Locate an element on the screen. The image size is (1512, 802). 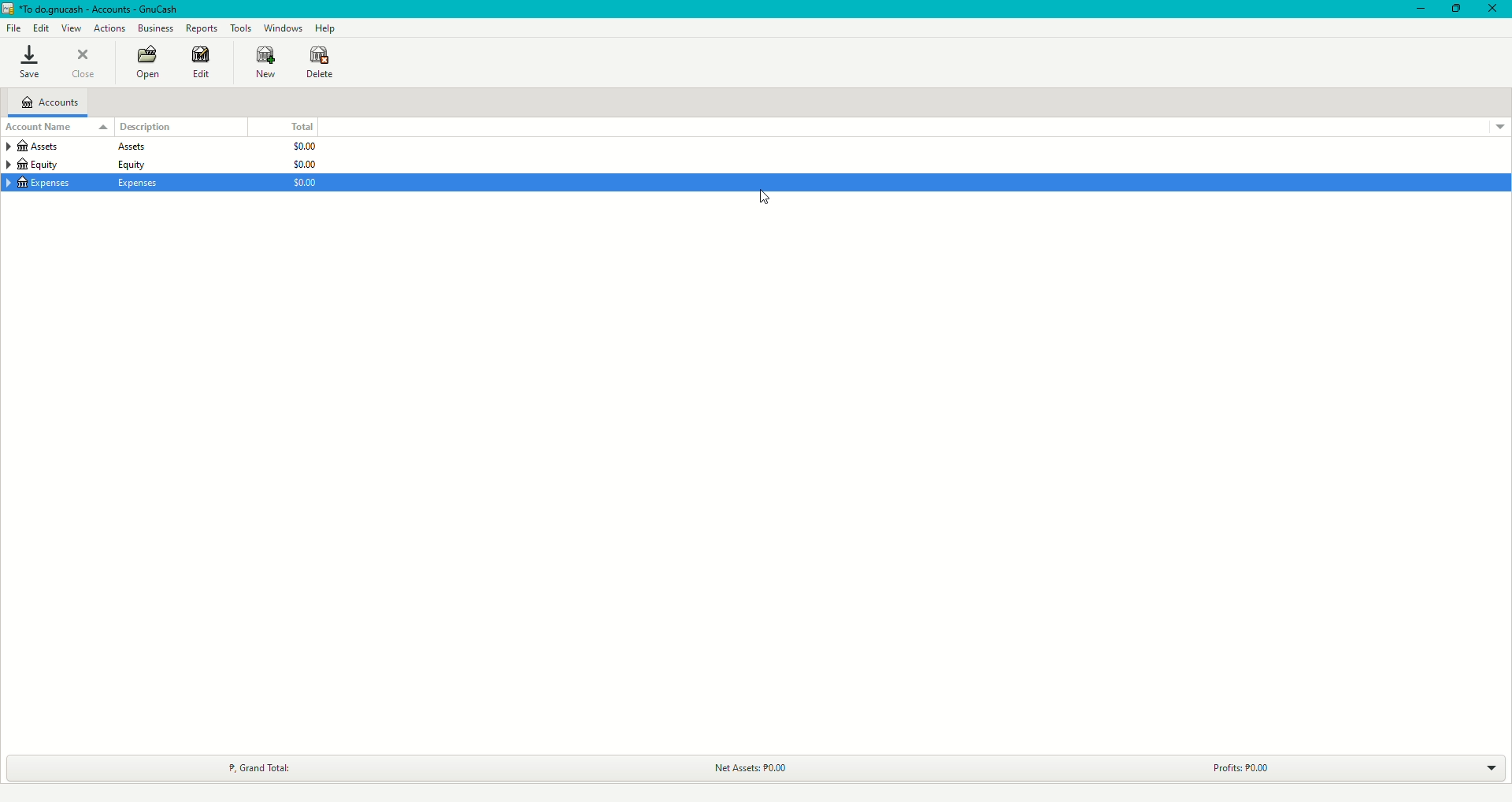
Close is located at coordinates (1493, 9).